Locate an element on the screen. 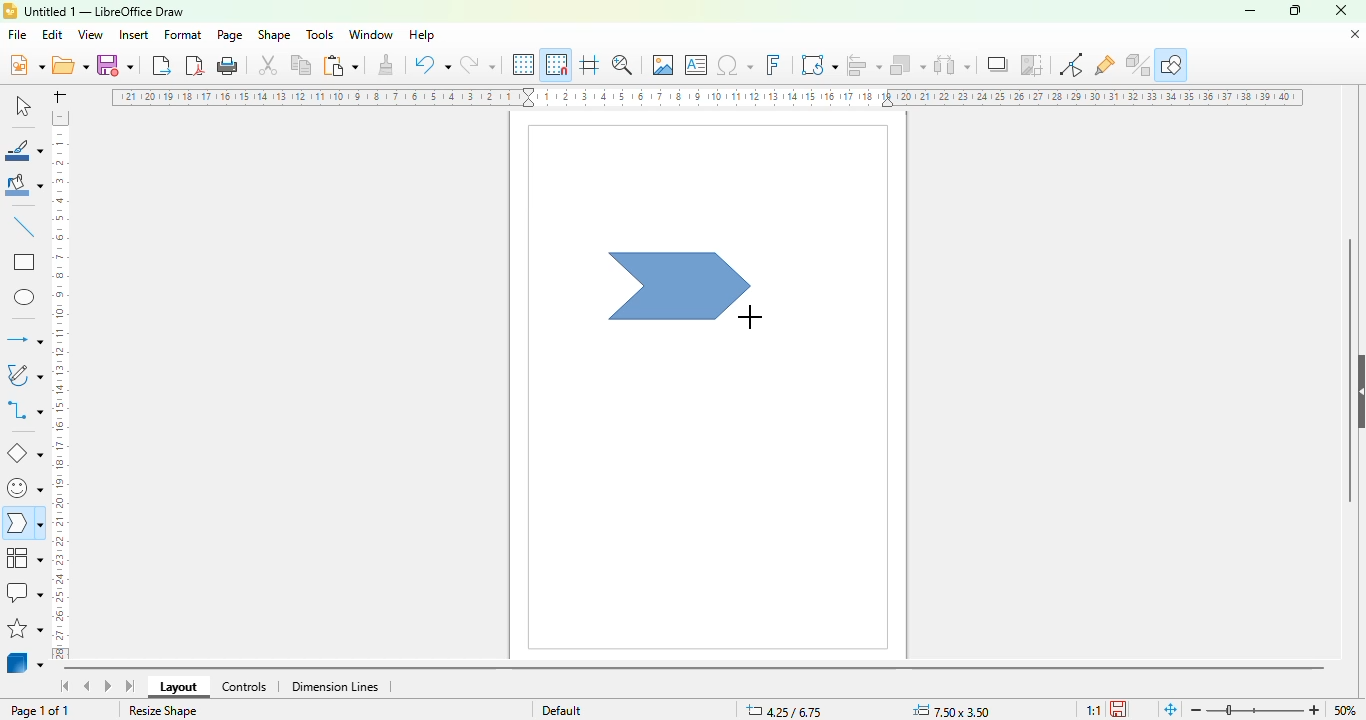 The height and width of the screenshot is (720, 1366). select at least three objects to distribute is located at coordinates (952, 64).